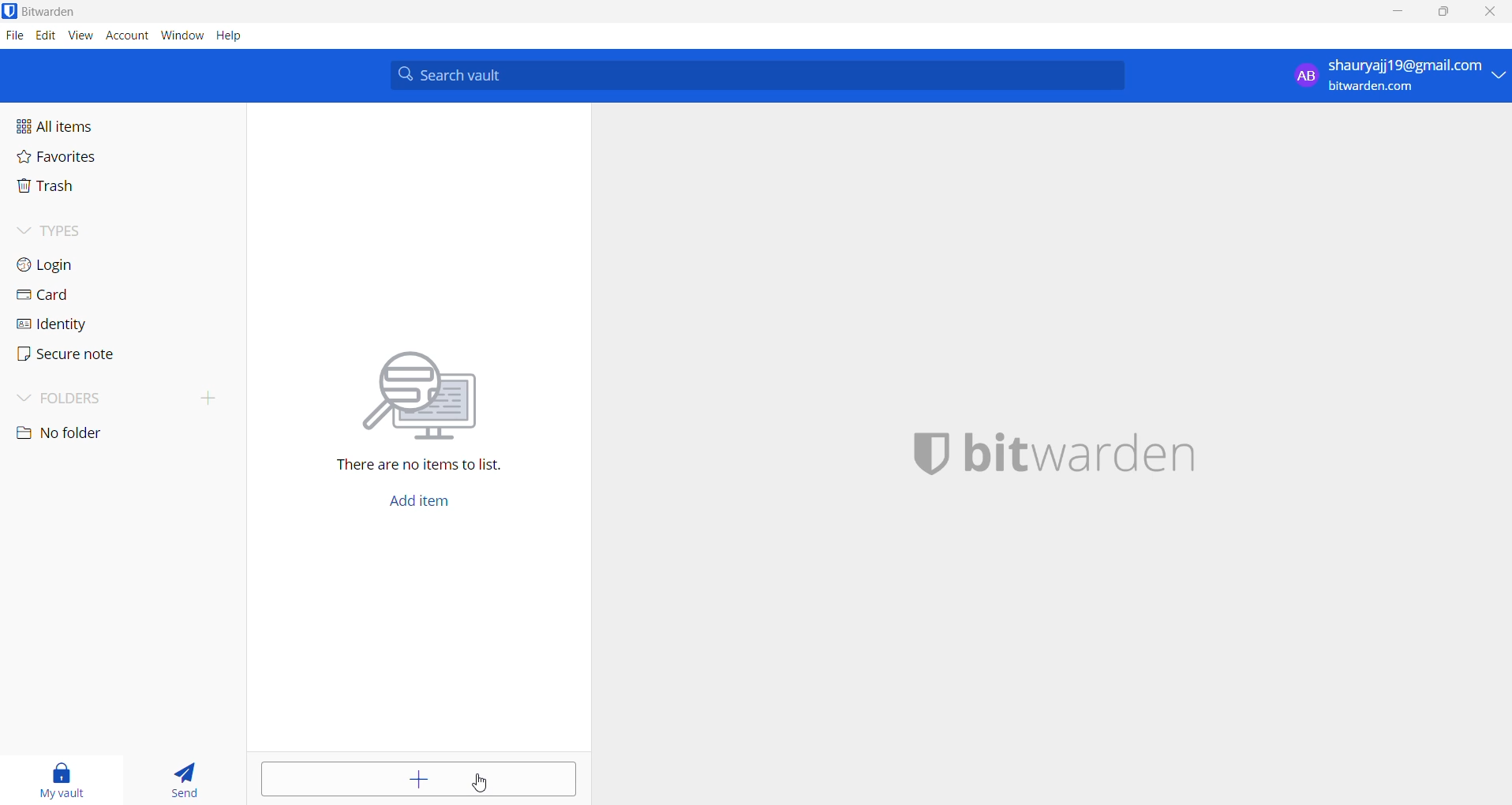 This screenshot has width=1512, height=805. I want to click on edit, so click(43, 35).